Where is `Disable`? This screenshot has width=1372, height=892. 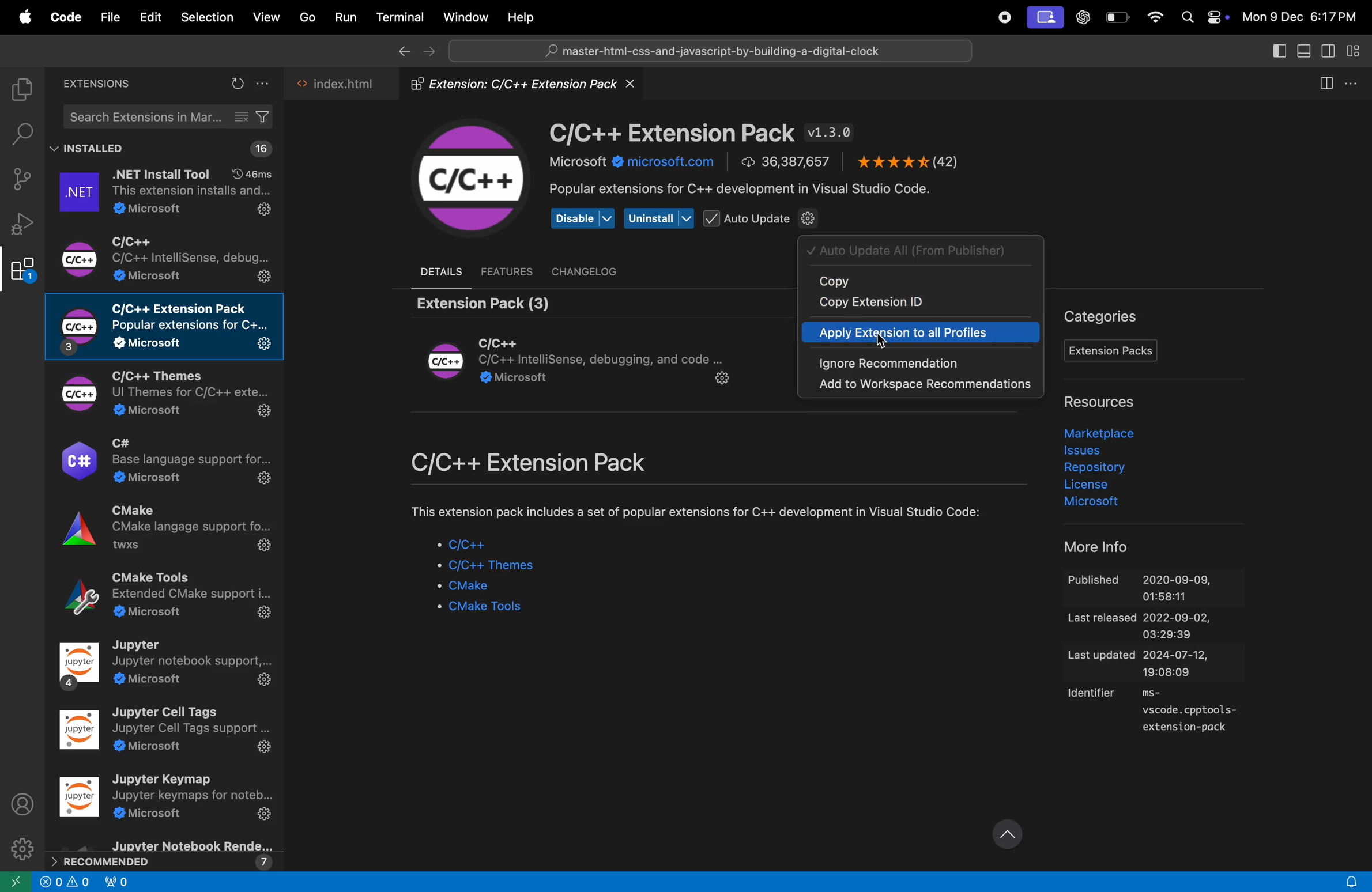 Disable is located at coordinates (583, 220).